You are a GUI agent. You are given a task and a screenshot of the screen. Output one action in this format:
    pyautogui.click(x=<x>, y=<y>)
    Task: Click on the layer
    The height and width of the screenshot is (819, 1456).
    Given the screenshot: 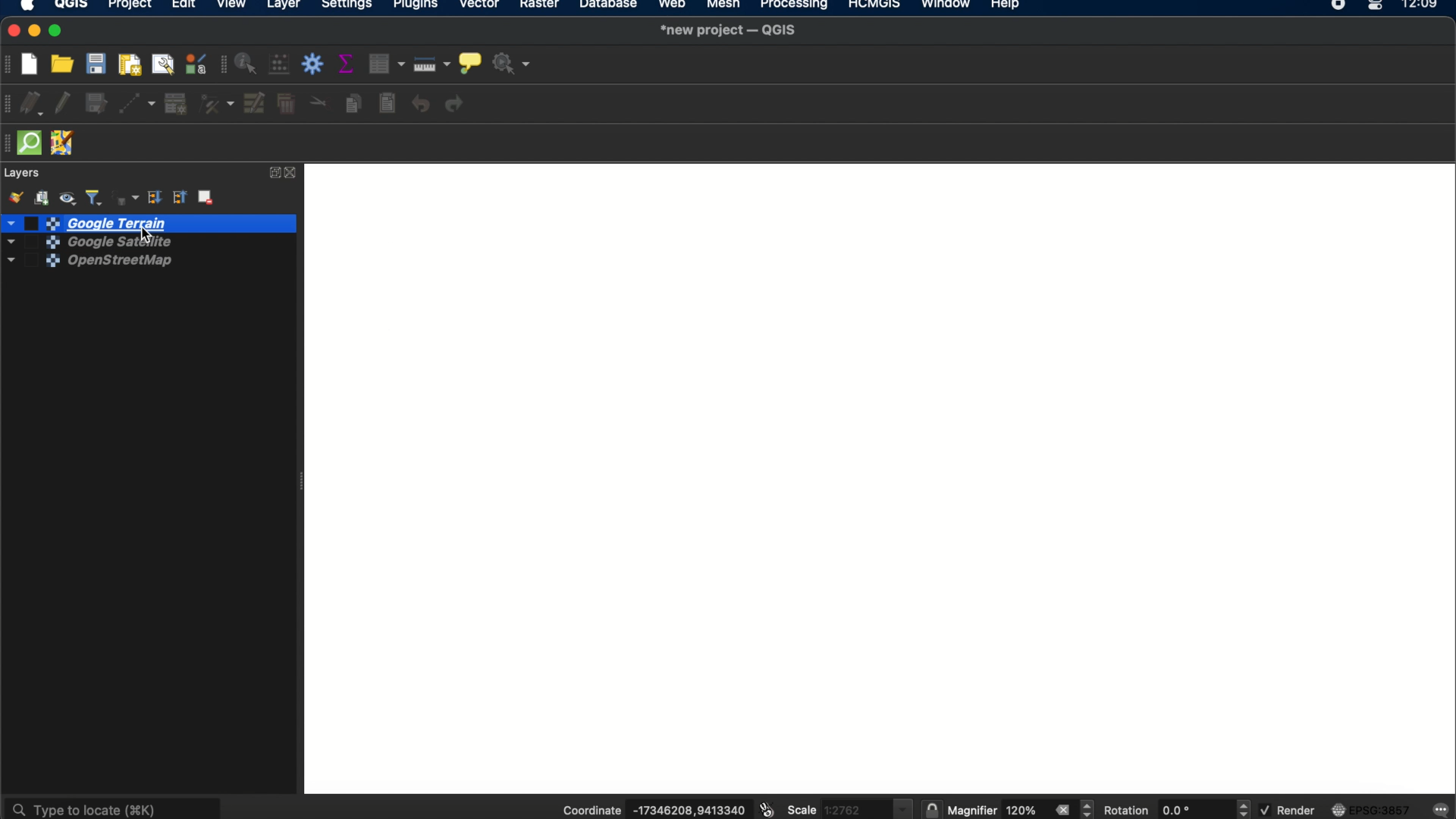 What is the action you would take?
    pyautogui.click(x=284, y=6)
    